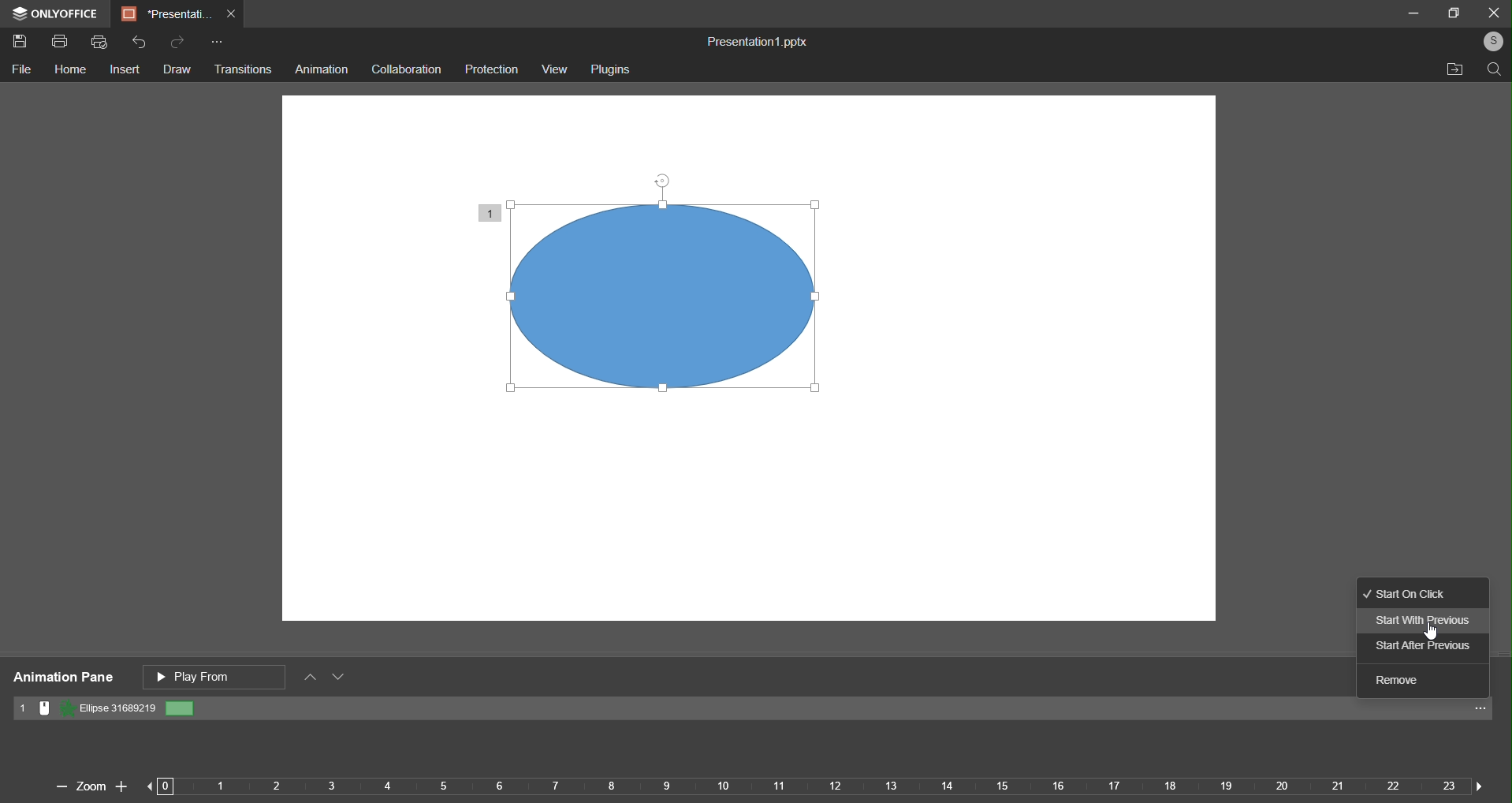 Image resolution: width=1512 pixels, height=803 pixels. I want to click on insert, so click(125, 71).